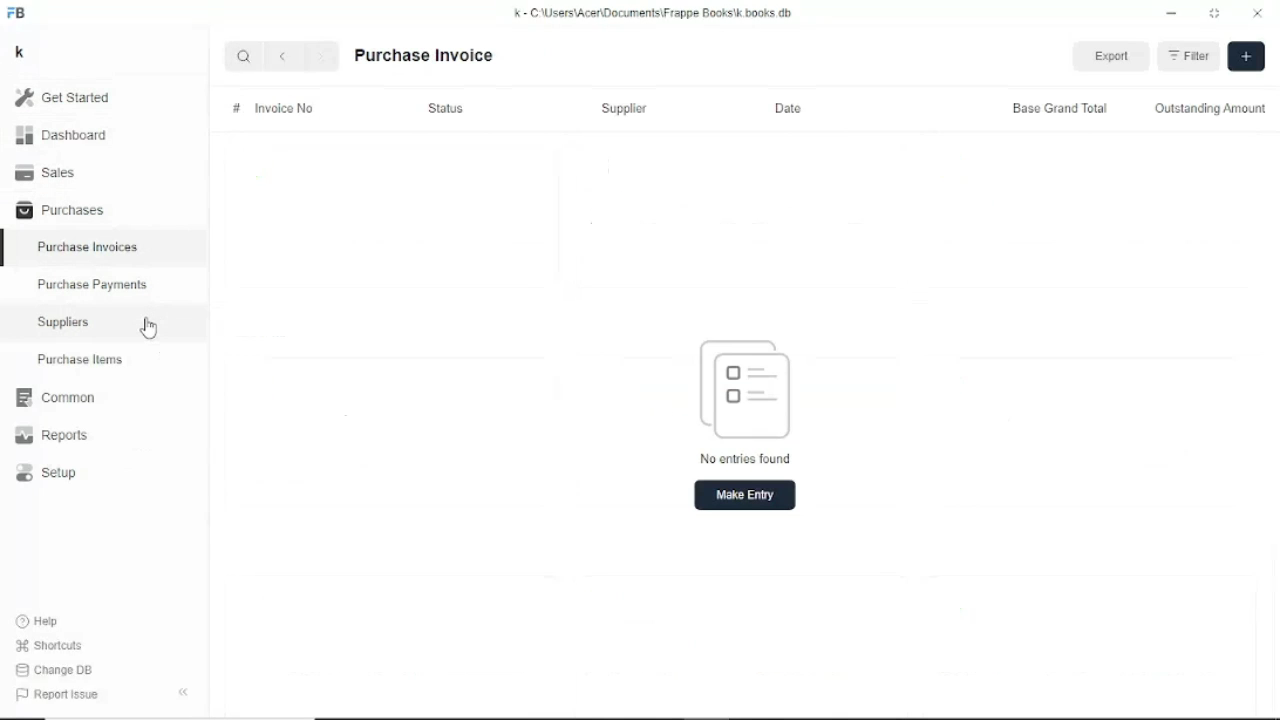 This screenshot has height=720, width=1280. What do you see at coordinates (87, 245) in the screenshot?
I see `Purchase invoices` at bounding box center [87, 245].